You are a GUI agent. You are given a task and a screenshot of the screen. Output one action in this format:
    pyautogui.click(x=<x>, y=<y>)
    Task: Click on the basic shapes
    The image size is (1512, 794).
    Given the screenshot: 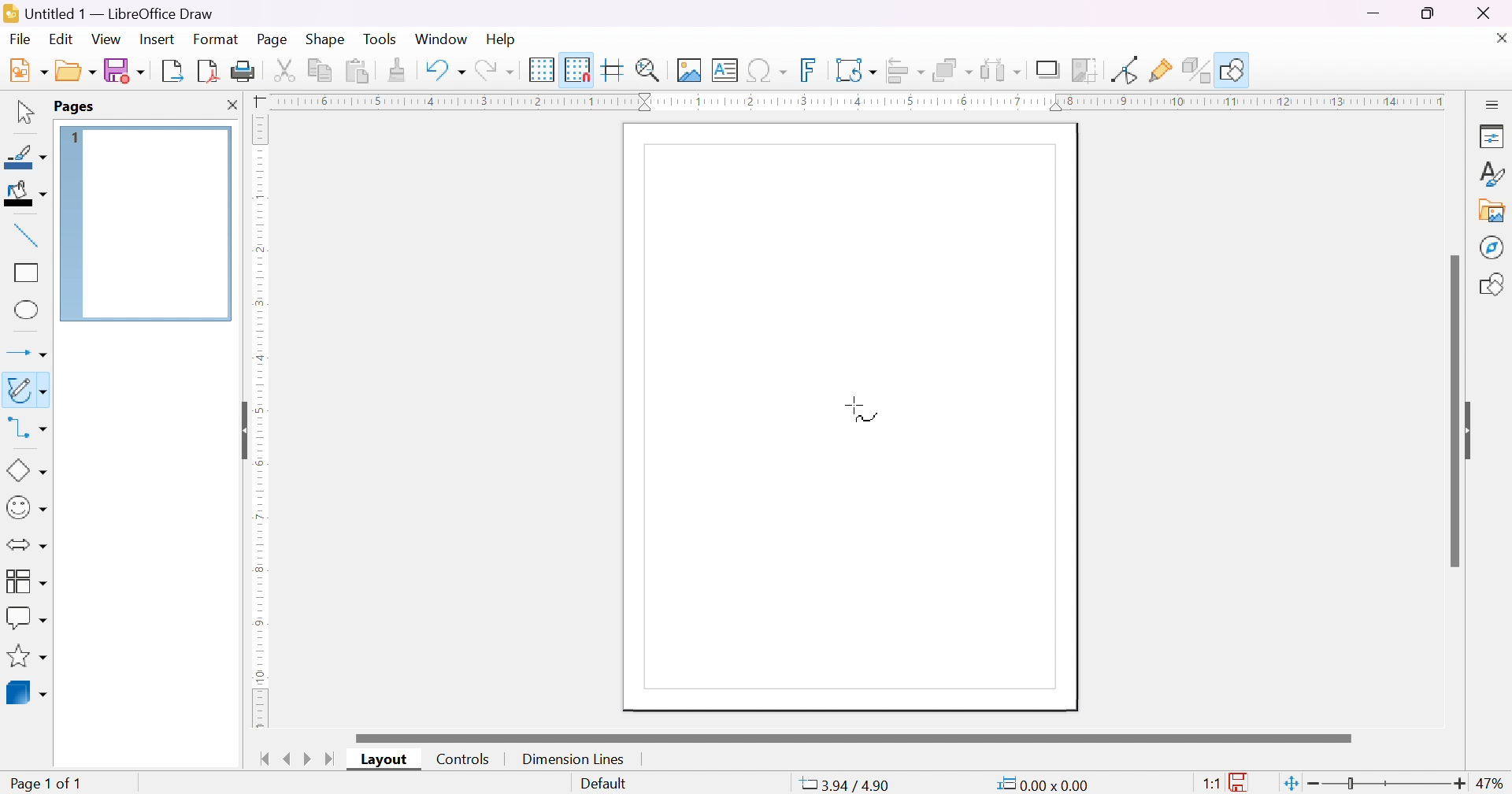 What is the action you would take?
    pyautogui.click(x=27, y=471)
    